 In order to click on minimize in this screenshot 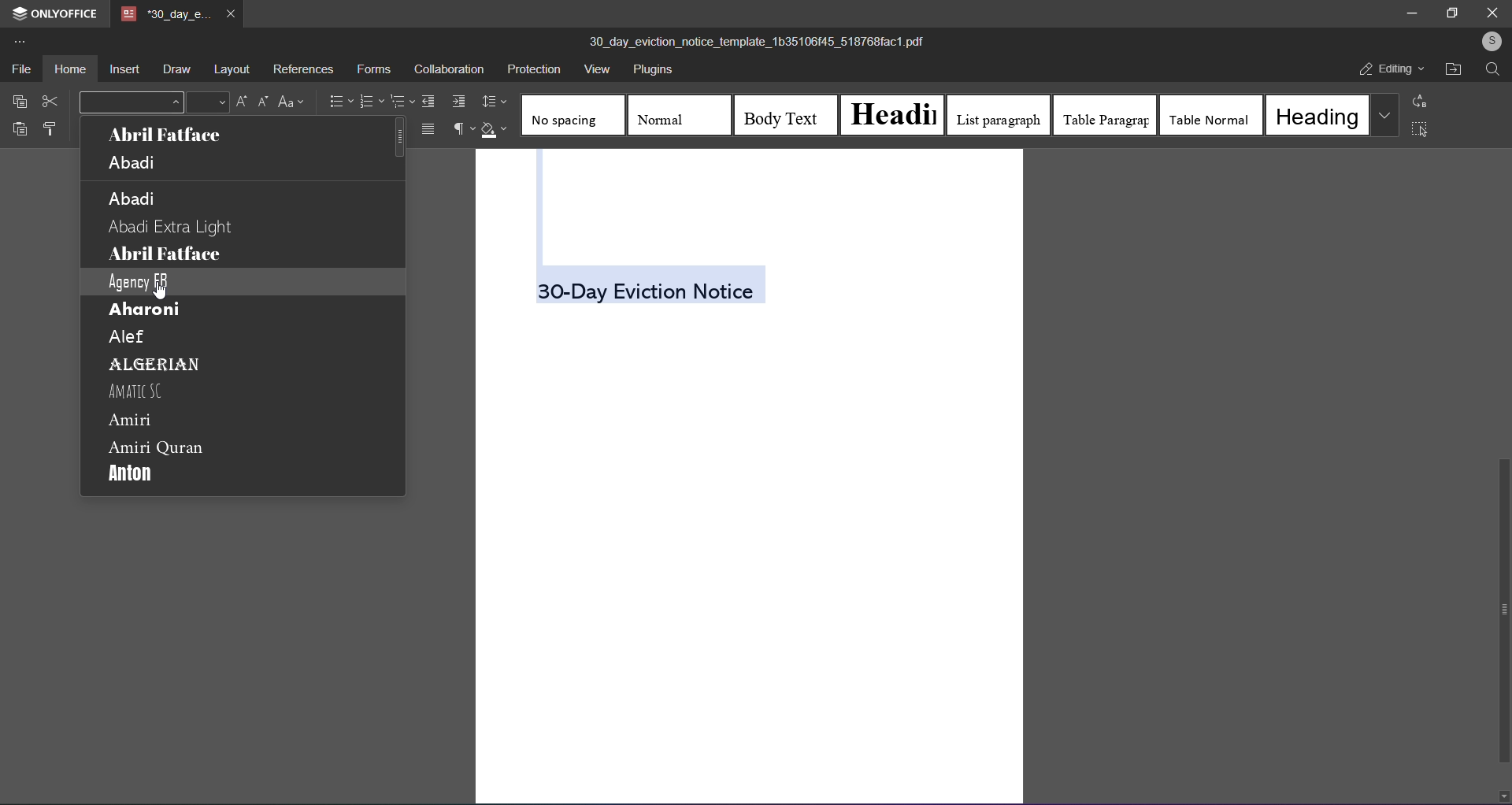, I will do `click(1415, 12)`.